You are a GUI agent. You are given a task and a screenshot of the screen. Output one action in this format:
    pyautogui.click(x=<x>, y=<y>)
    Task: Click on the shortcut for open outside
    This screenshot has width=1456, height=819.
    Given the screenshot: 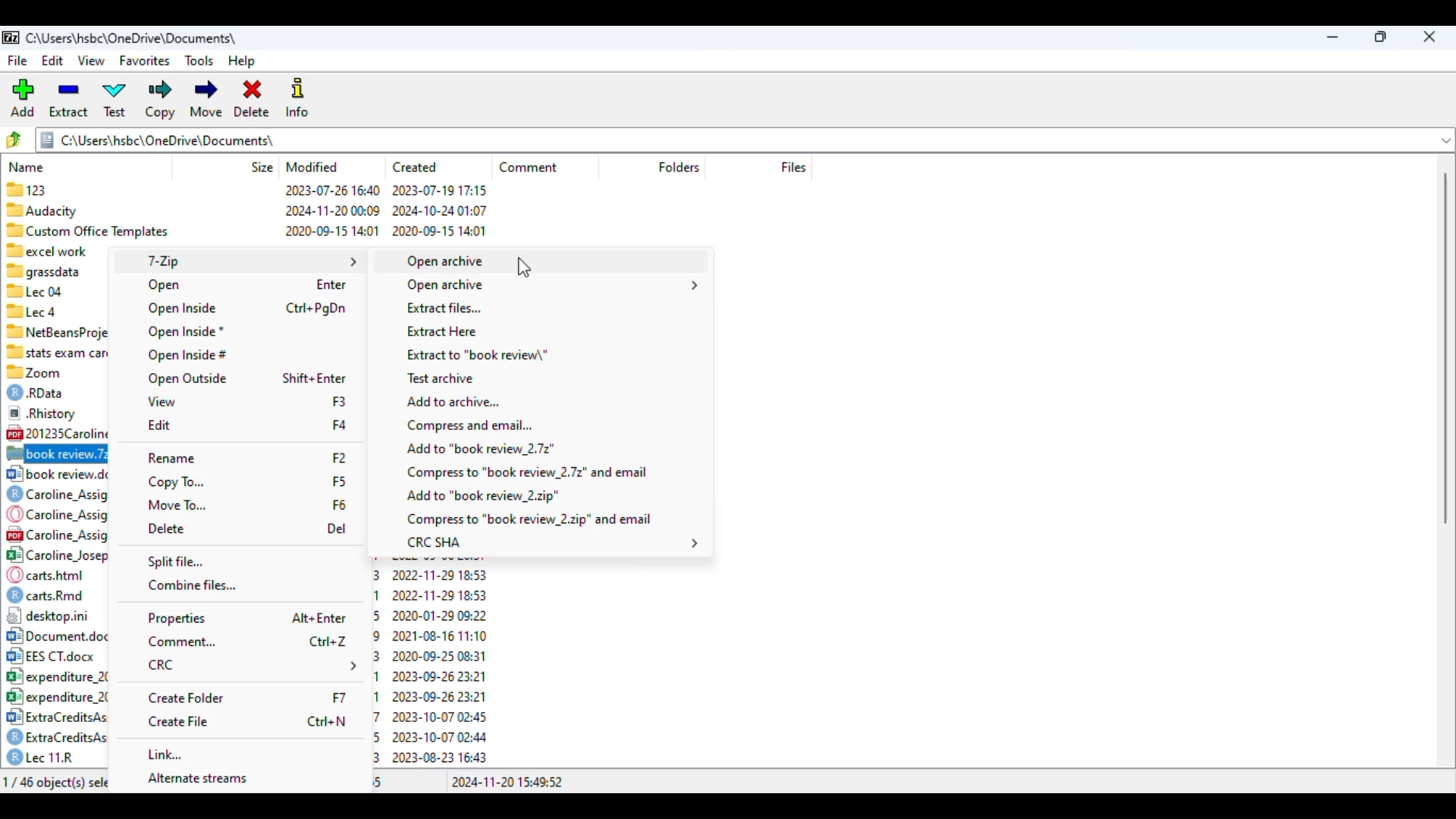 What is the action you would take?
    pyautogui.click(x=315, y=378)
    